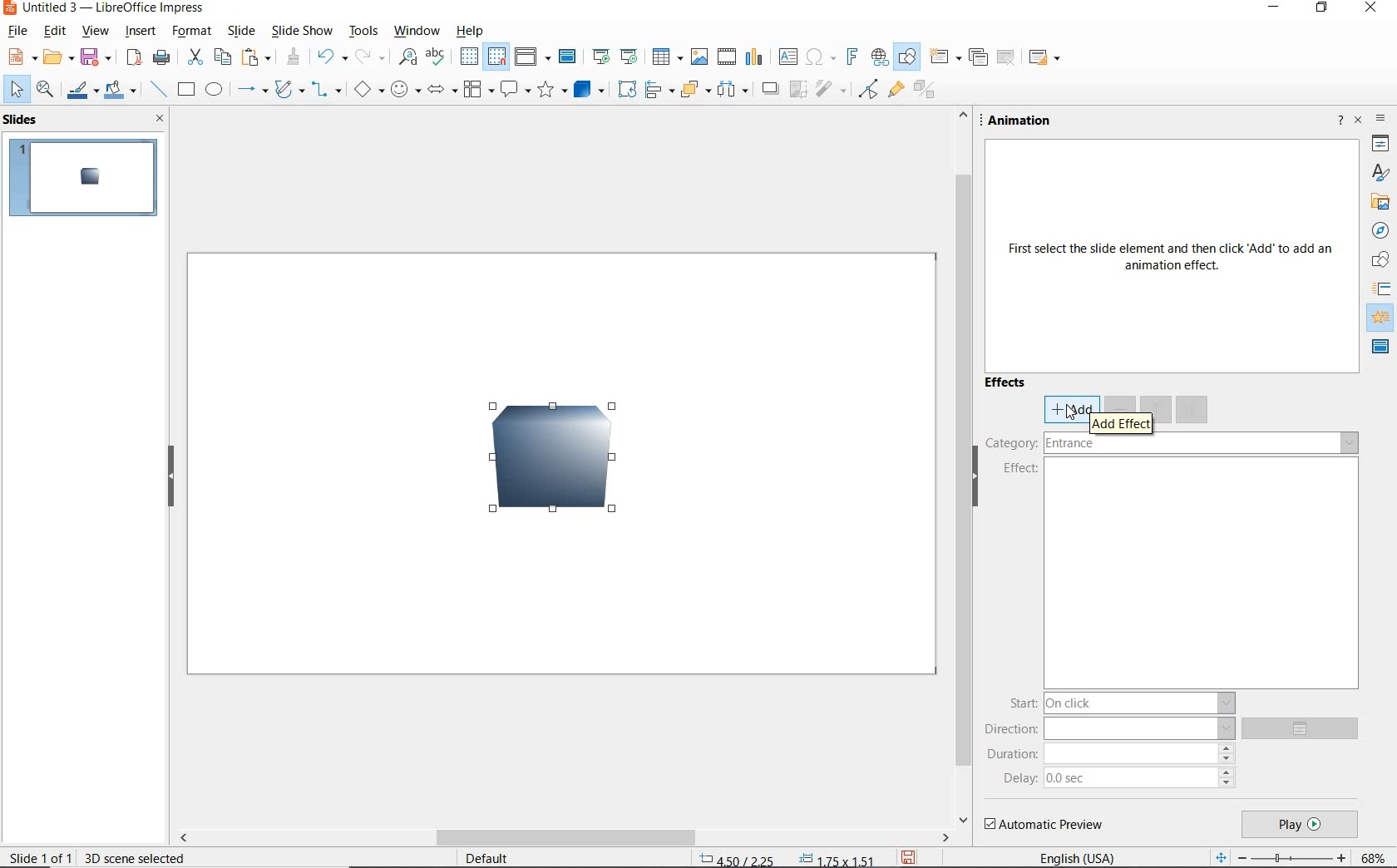  What do you see at coordinates (196, 57) in the screenshot?
I see `cut` at bounding box center [196, 57].